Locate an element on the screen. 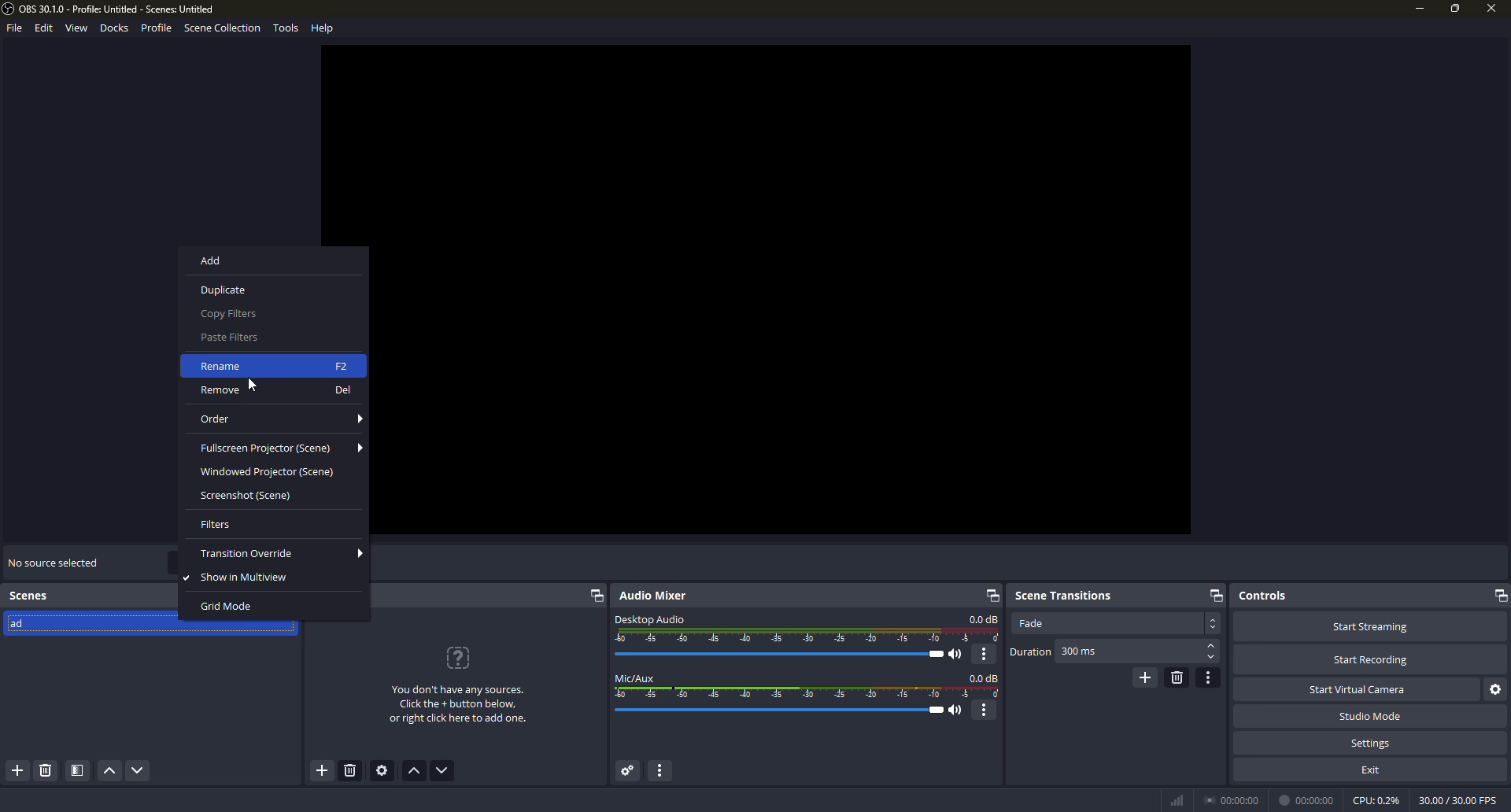 The width and height of the screenshot is (1511, 812). no source selected is located at coordinates (53, 561).